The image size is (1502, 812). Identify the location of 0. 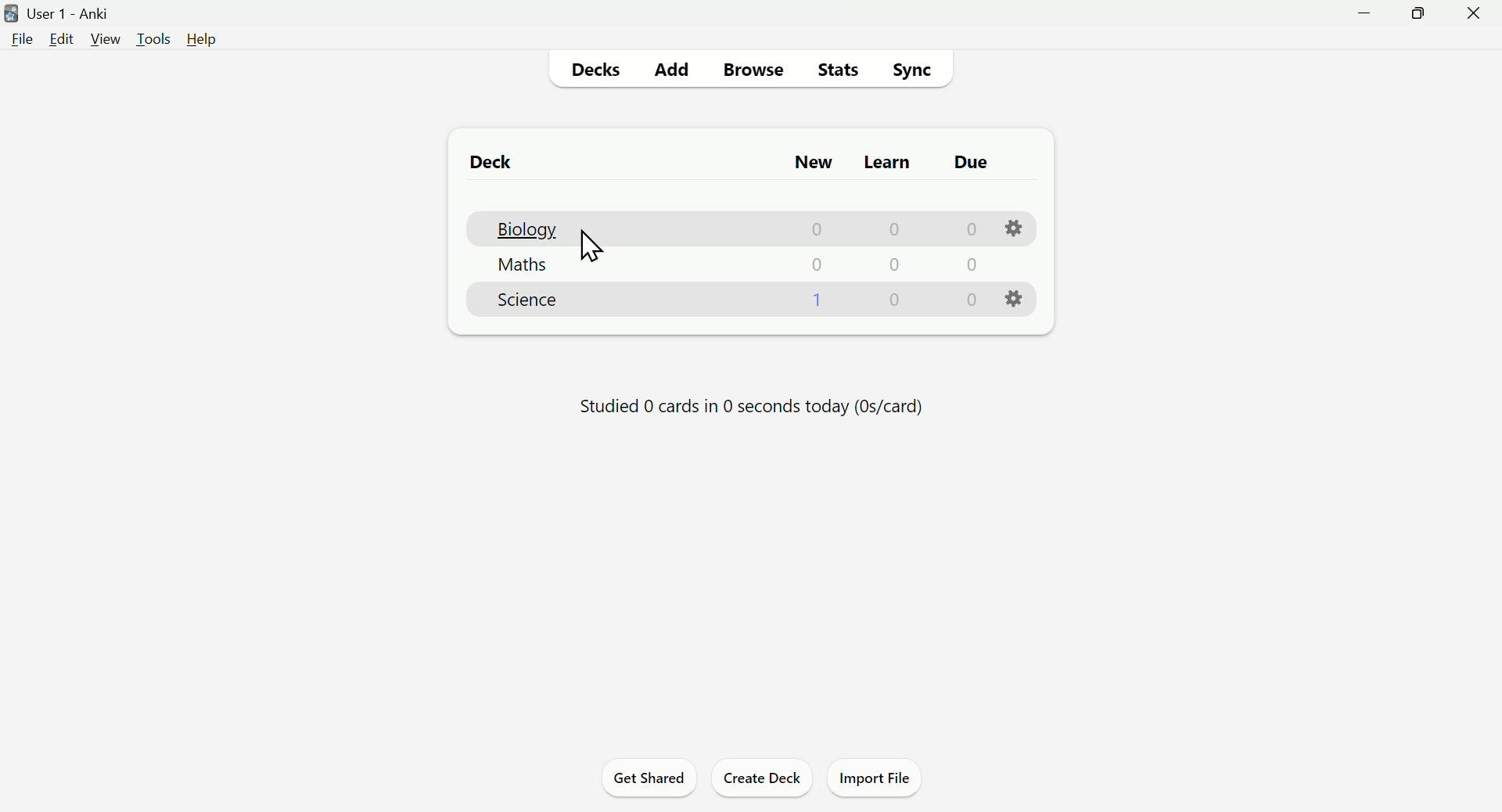
(817, 264).